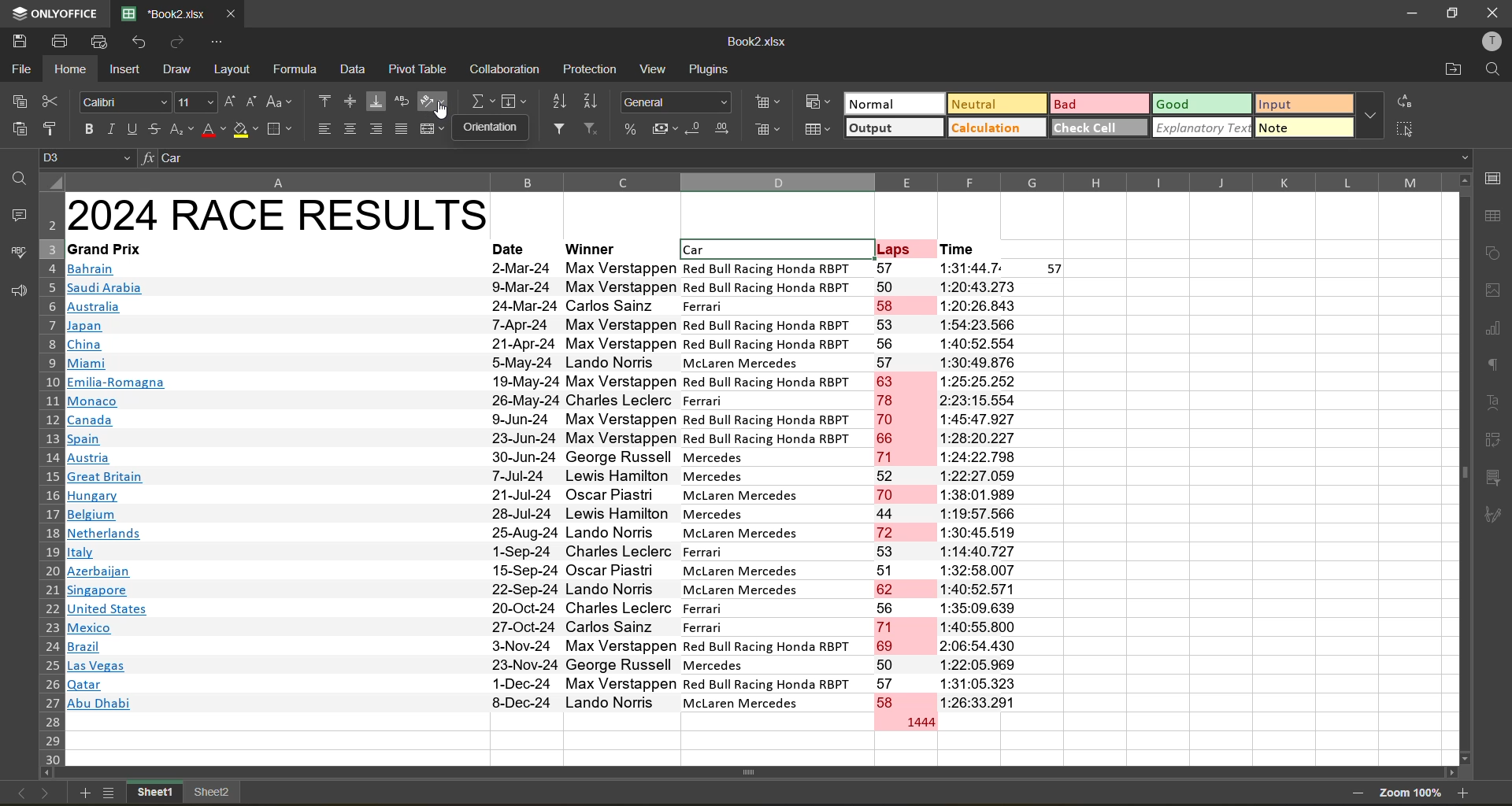 This screenshot has width=1512, height=806. Describe the element at coordinates (18, 792) in the screenshot. I see `previous` at that location.